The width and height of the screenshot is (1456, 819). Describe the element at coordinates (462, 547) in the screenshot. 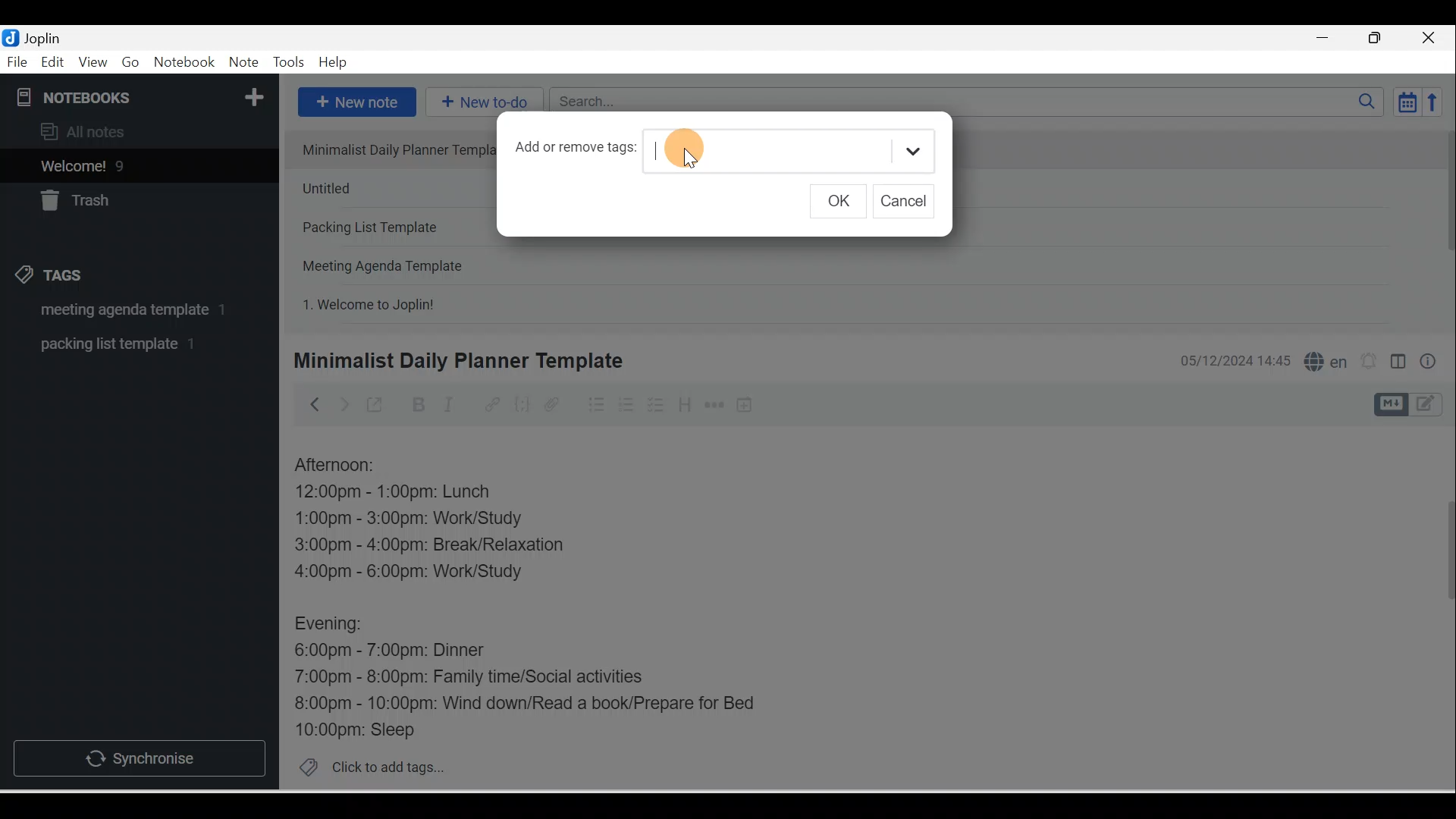

I see `3:00pm - 4:00pm: Break/Relaxation` at that location.